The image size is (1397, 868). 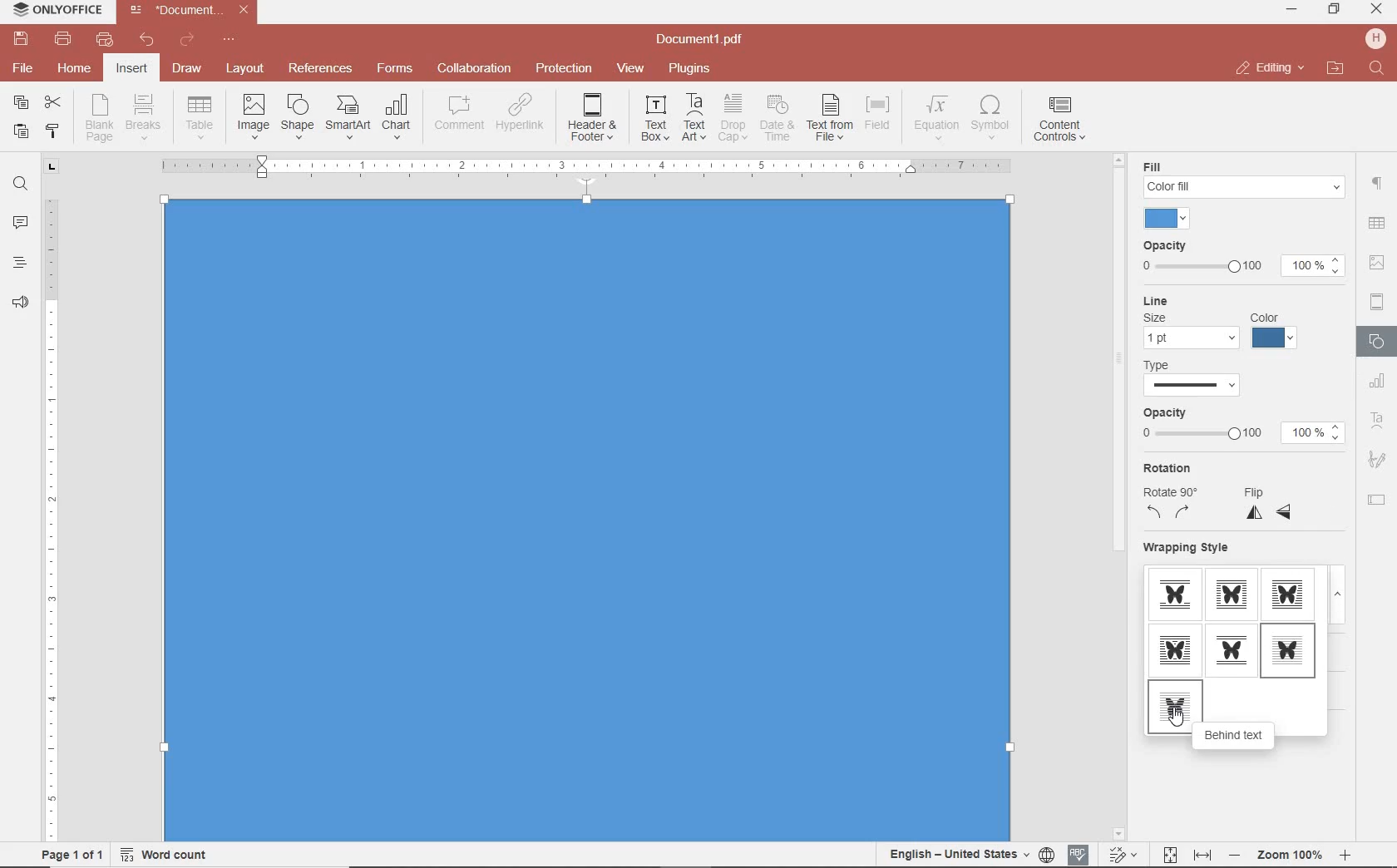 What do you see at coordinates (1290, 856) in the screenshot?
I see `` at bounding box center [1290, 856].